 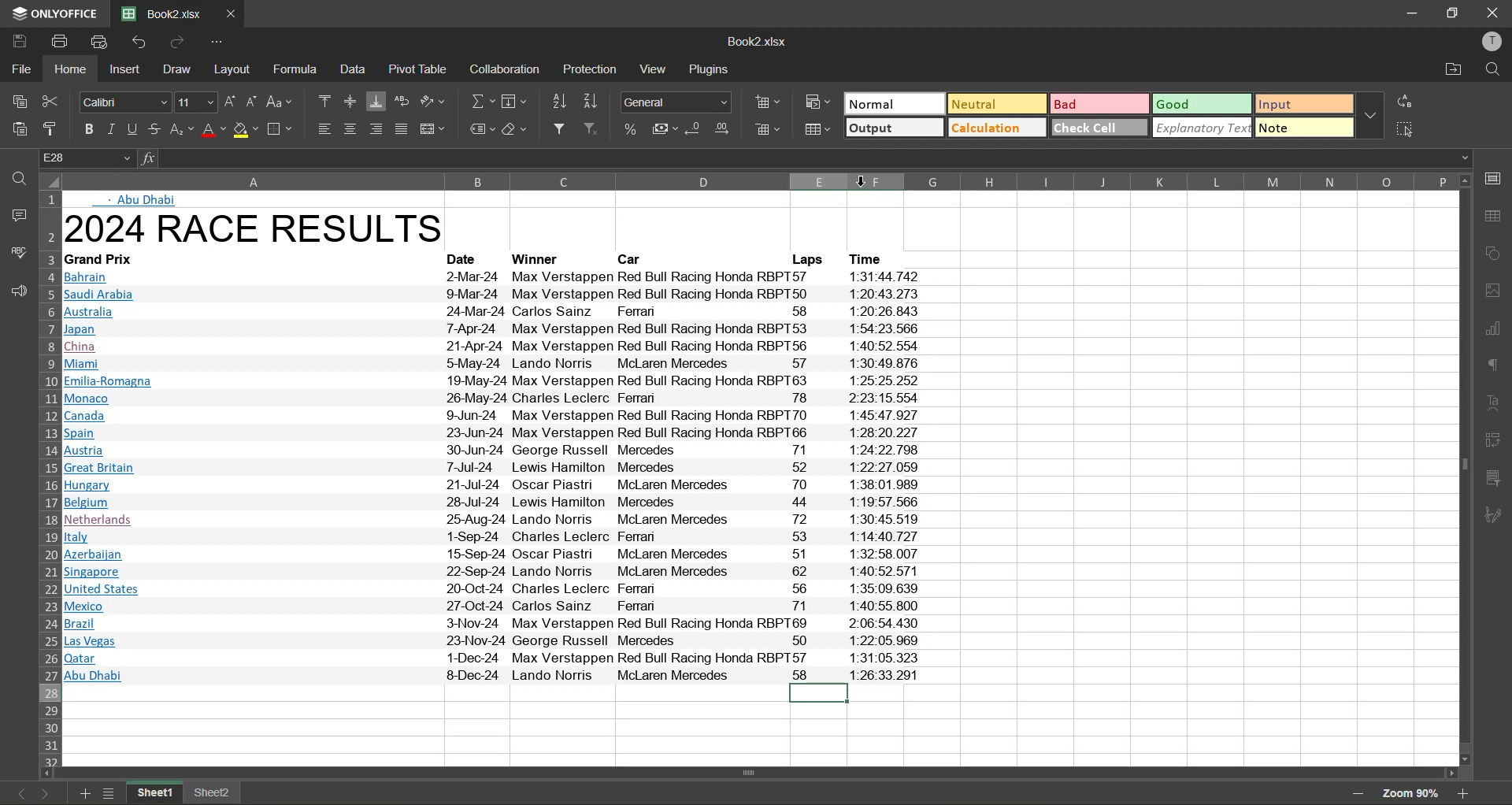 I want to click on sort ascending, so click(x=556, y=102).